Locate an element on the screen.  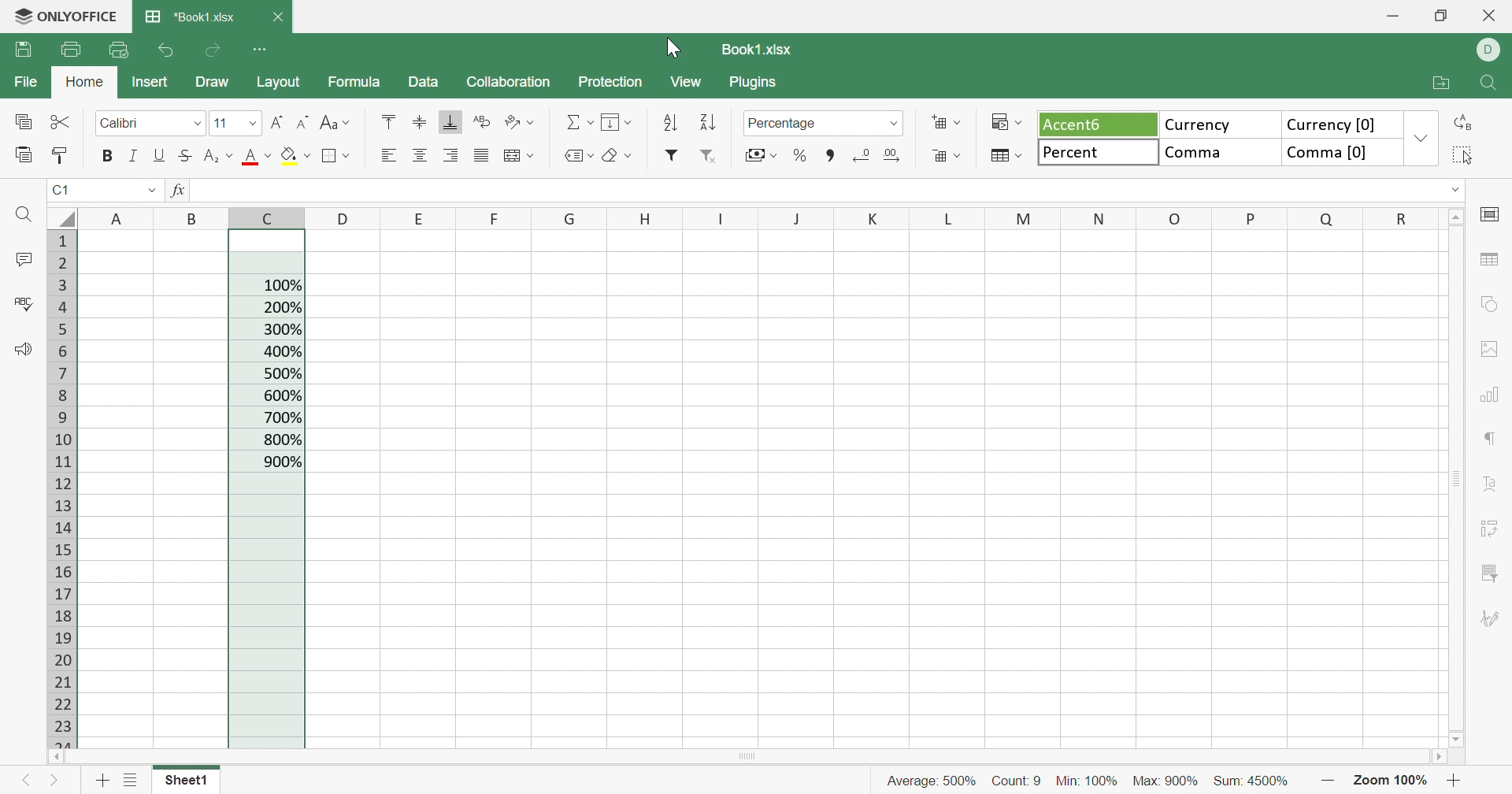
Scroll Right is located at coordinates (1444, 757).